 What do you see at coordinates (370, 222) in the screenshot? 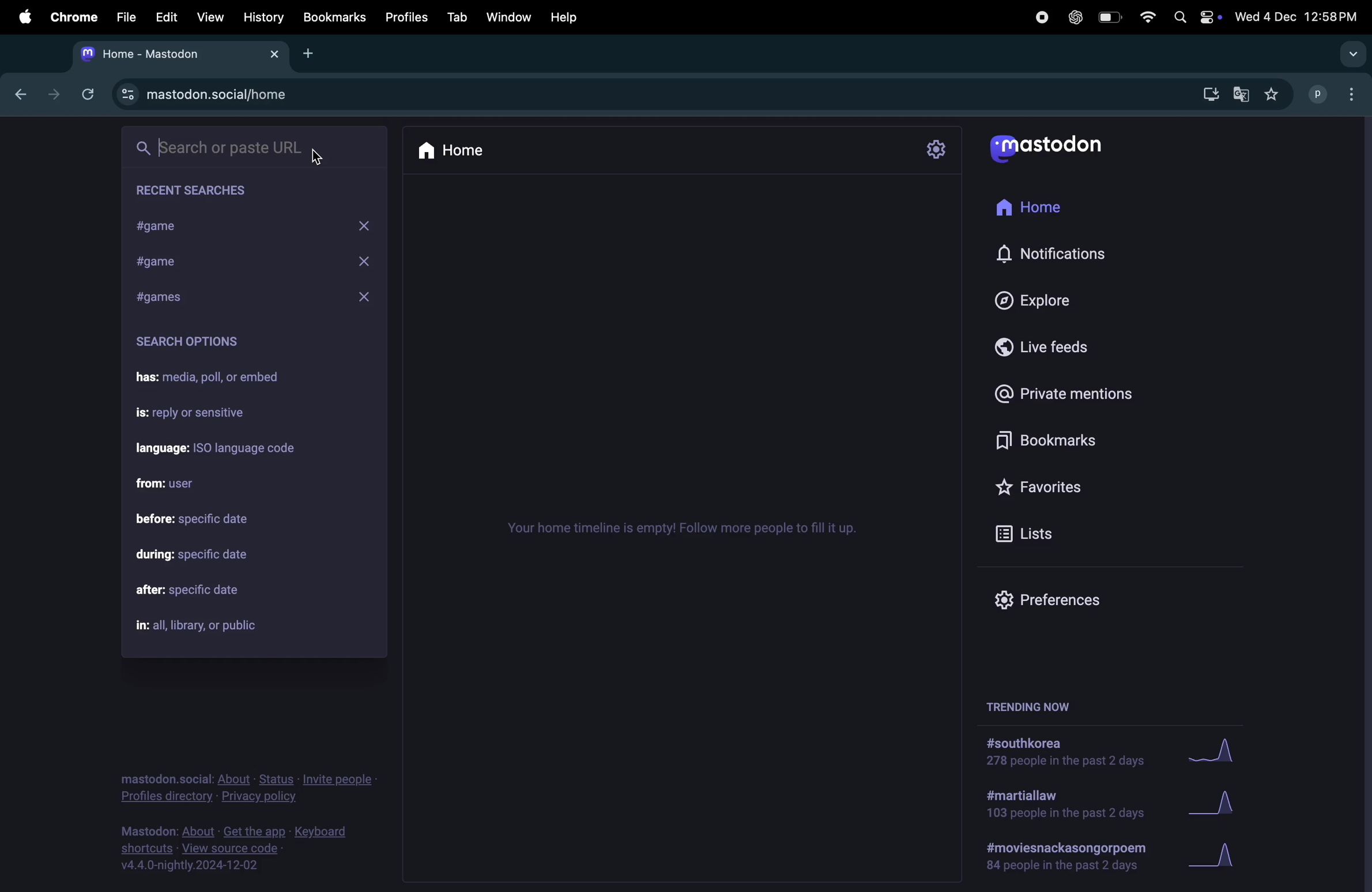
I see `close` at bounding box center [370, 222].